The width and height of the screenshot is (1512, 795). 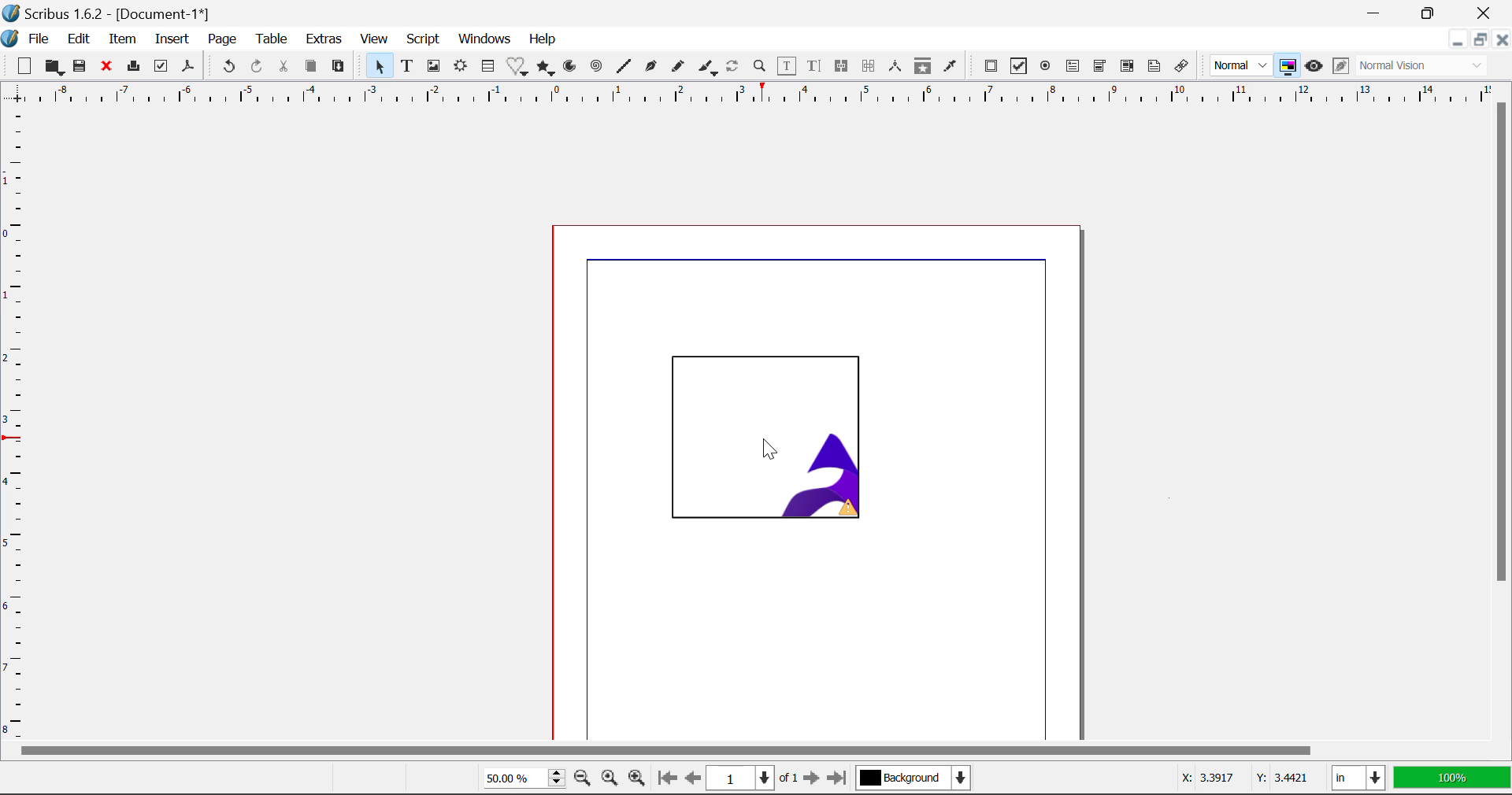 I want to click on Cut, so click(x=283, y=67).